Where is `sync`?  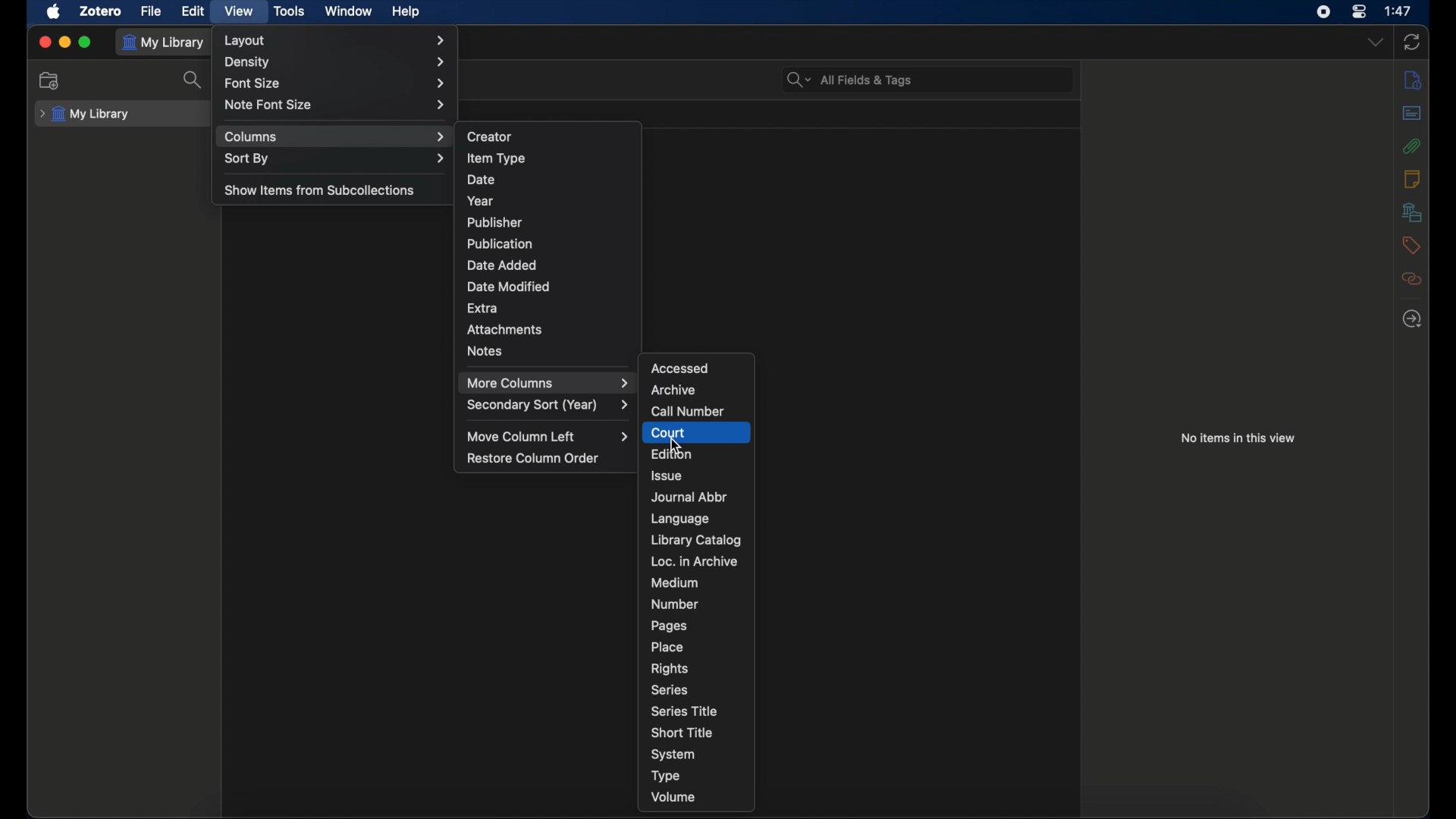 sync is located at coordinates (1412, 42).